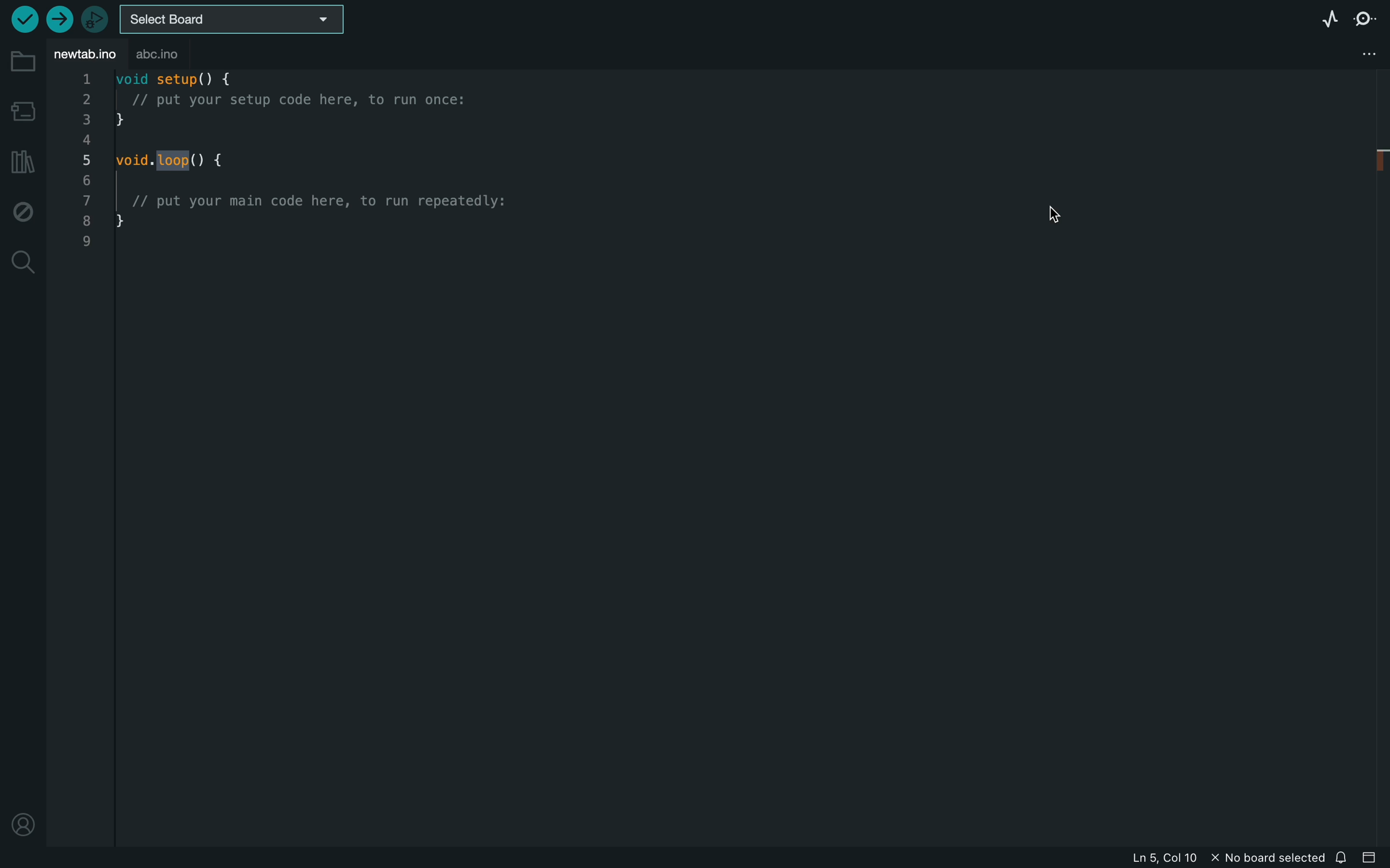  I want to click on serial plotter, so click(1310, 18).